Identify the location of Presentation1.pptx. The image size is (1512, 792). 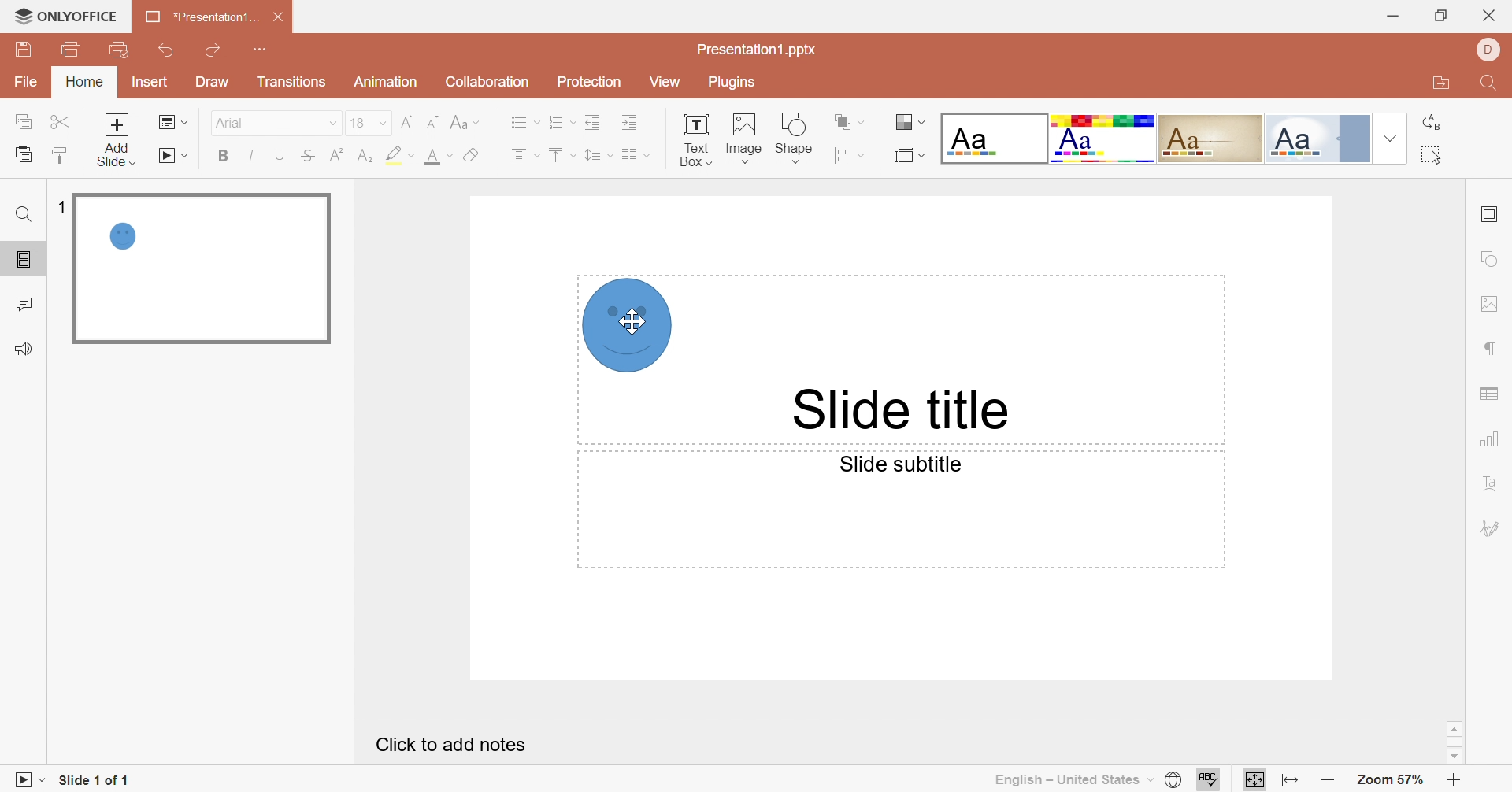
(759, 50).